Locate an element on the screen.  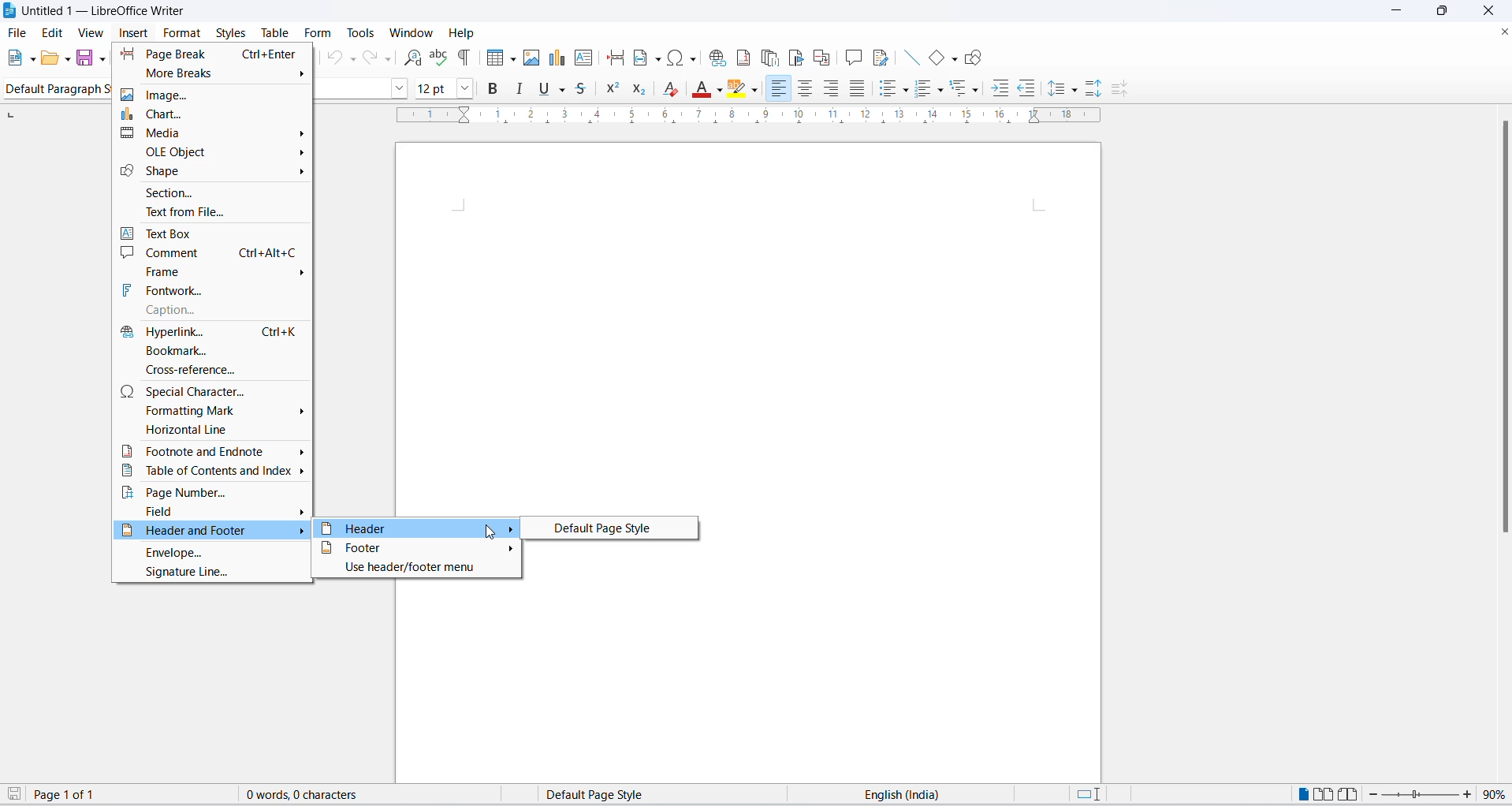
outline format options is located at coordinates (975, 91).